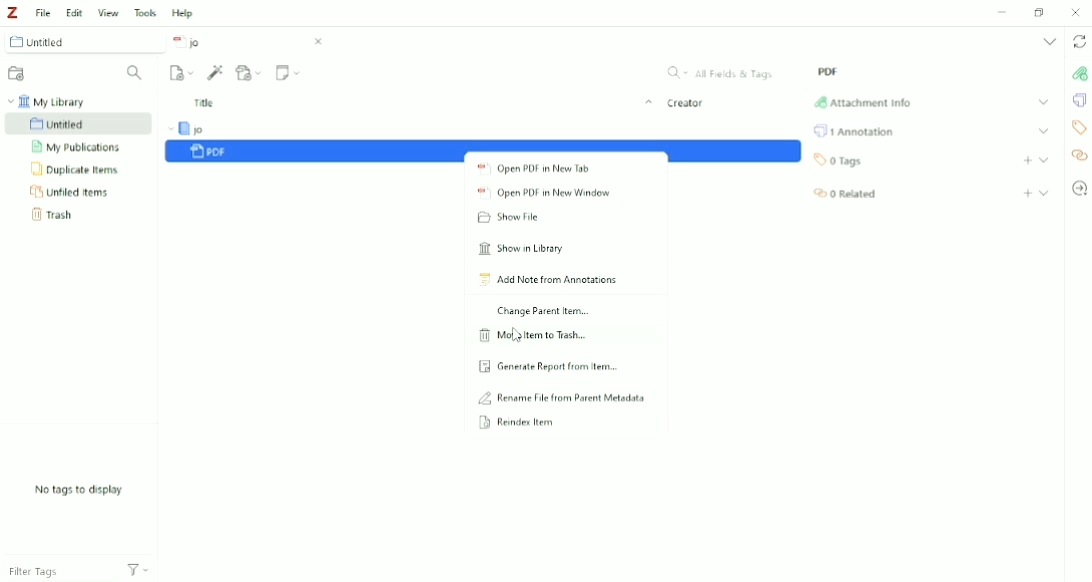 This screenshot has height=582, width=1092. I want to click on Related, so click(844, 194).